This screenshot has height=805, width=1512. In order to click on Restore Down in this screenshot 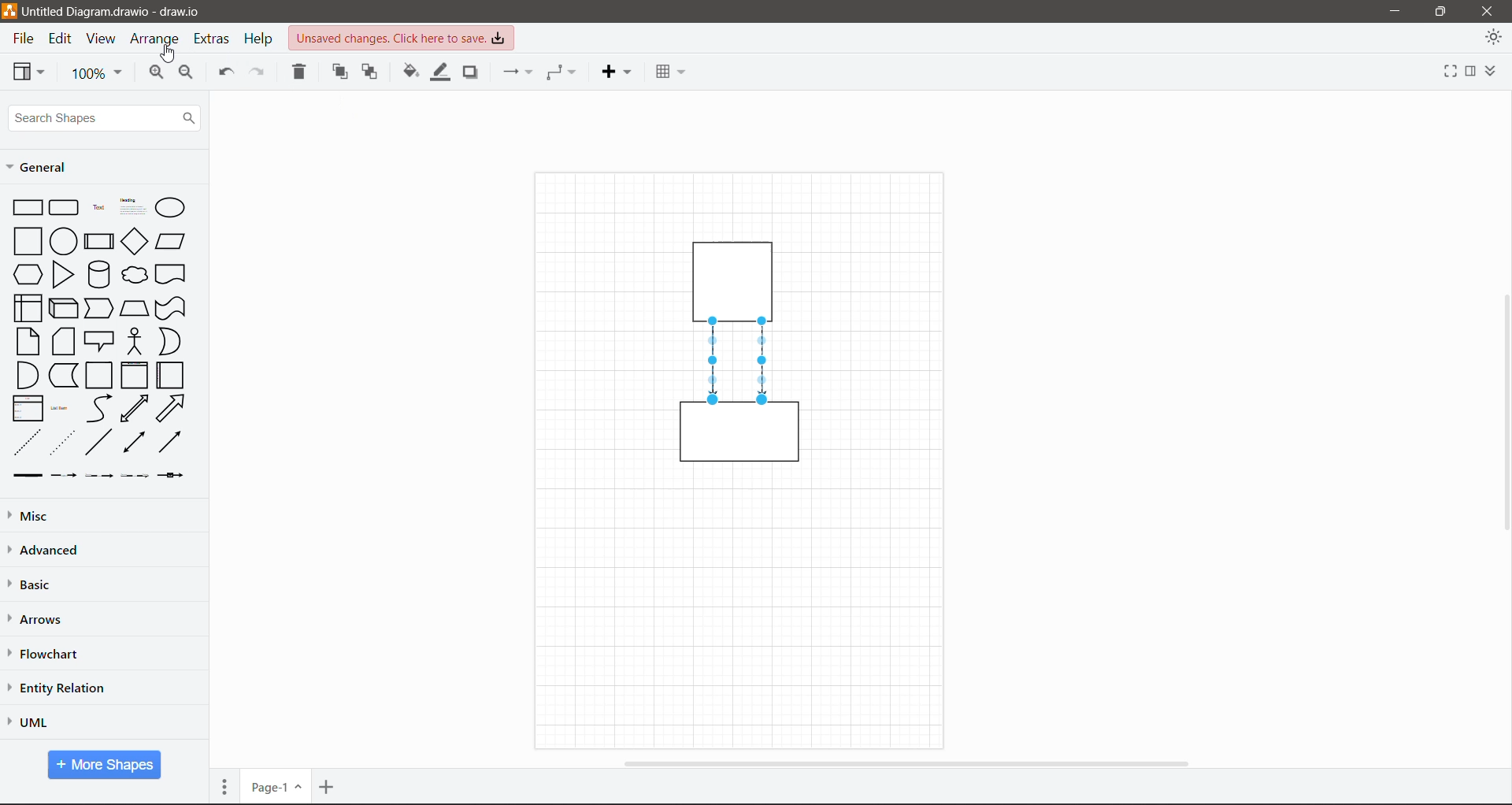, I will do `click(1441, 10)`.